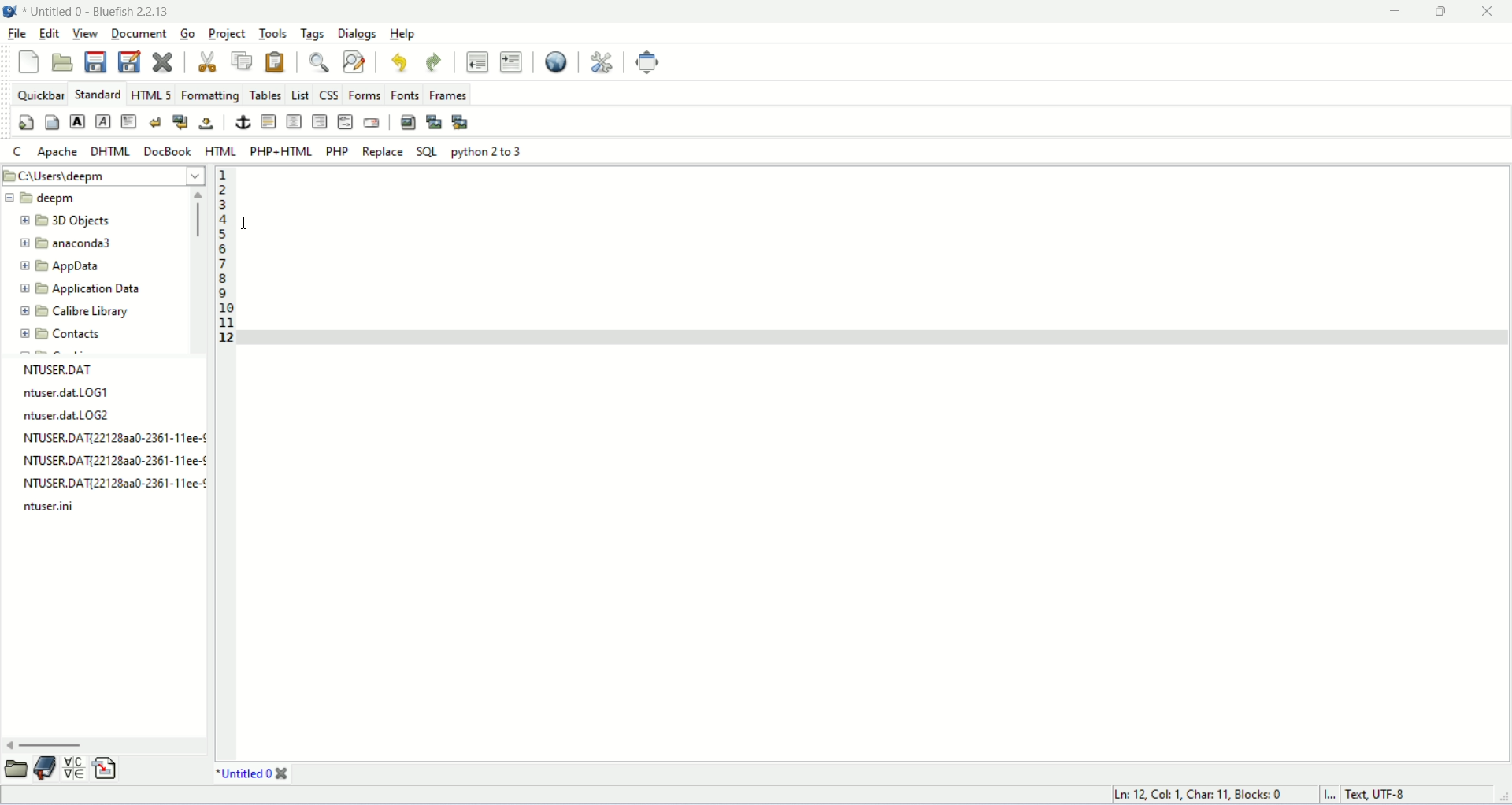 Image resolution: width=1512 pixels, height=805 pixels. I want to click on filename, so click(94, 198).